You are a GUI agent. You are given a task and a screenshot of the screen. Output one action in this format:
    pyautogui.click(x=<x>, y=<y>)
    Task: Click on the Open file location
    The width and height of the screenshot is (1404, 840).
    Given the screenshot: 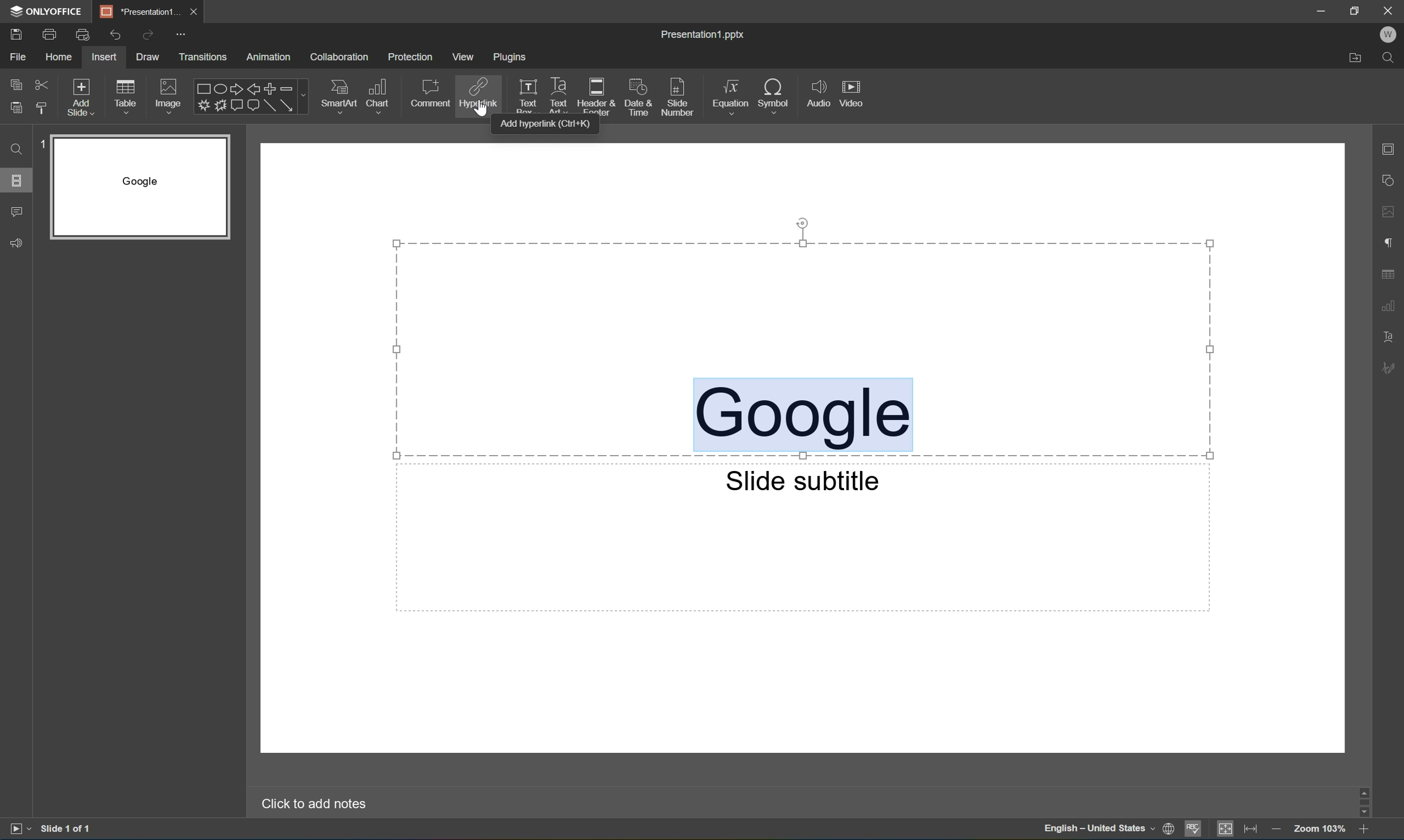 What is the action you would take?
    pyautogui.click(x=1355, y=59)
    